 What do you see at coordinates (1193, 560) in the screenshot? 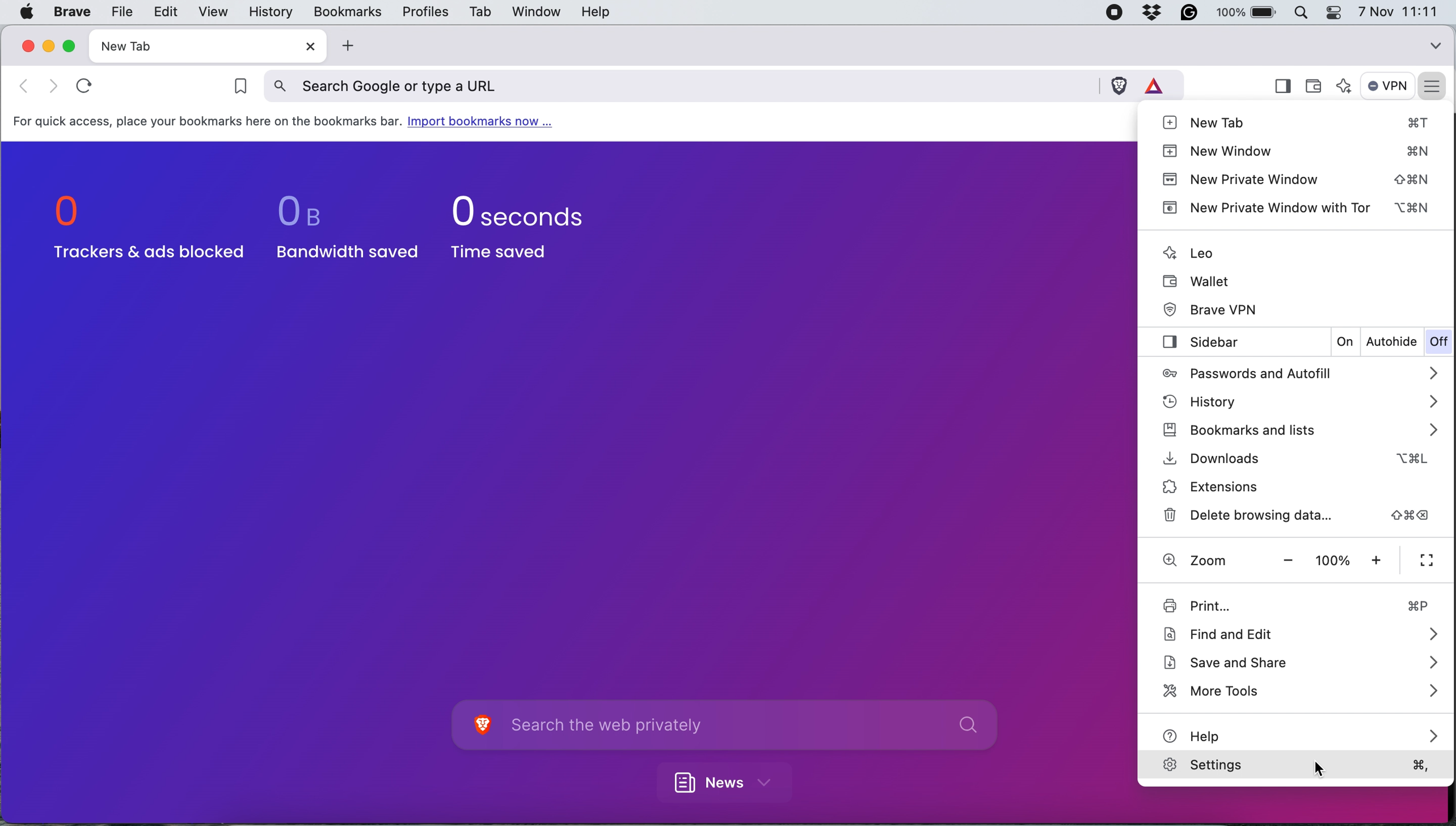
I see `zoom` at bounding box center [1193, 560].